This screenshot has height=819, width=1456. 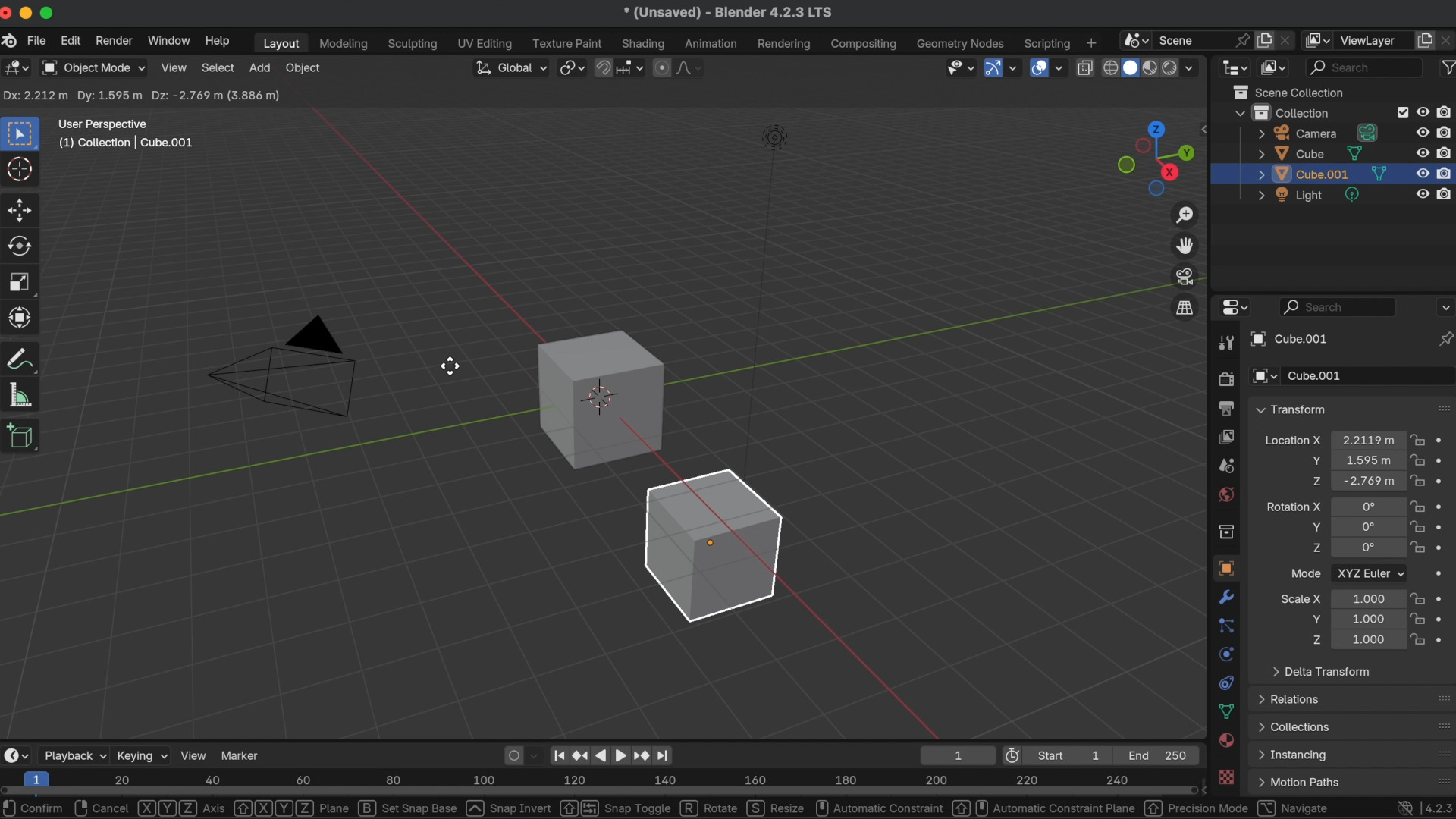 What do you see at coordinates (1323, 174) in the screenshot?
I see `duplicated cube layer` at bounding box center [1323, 174].